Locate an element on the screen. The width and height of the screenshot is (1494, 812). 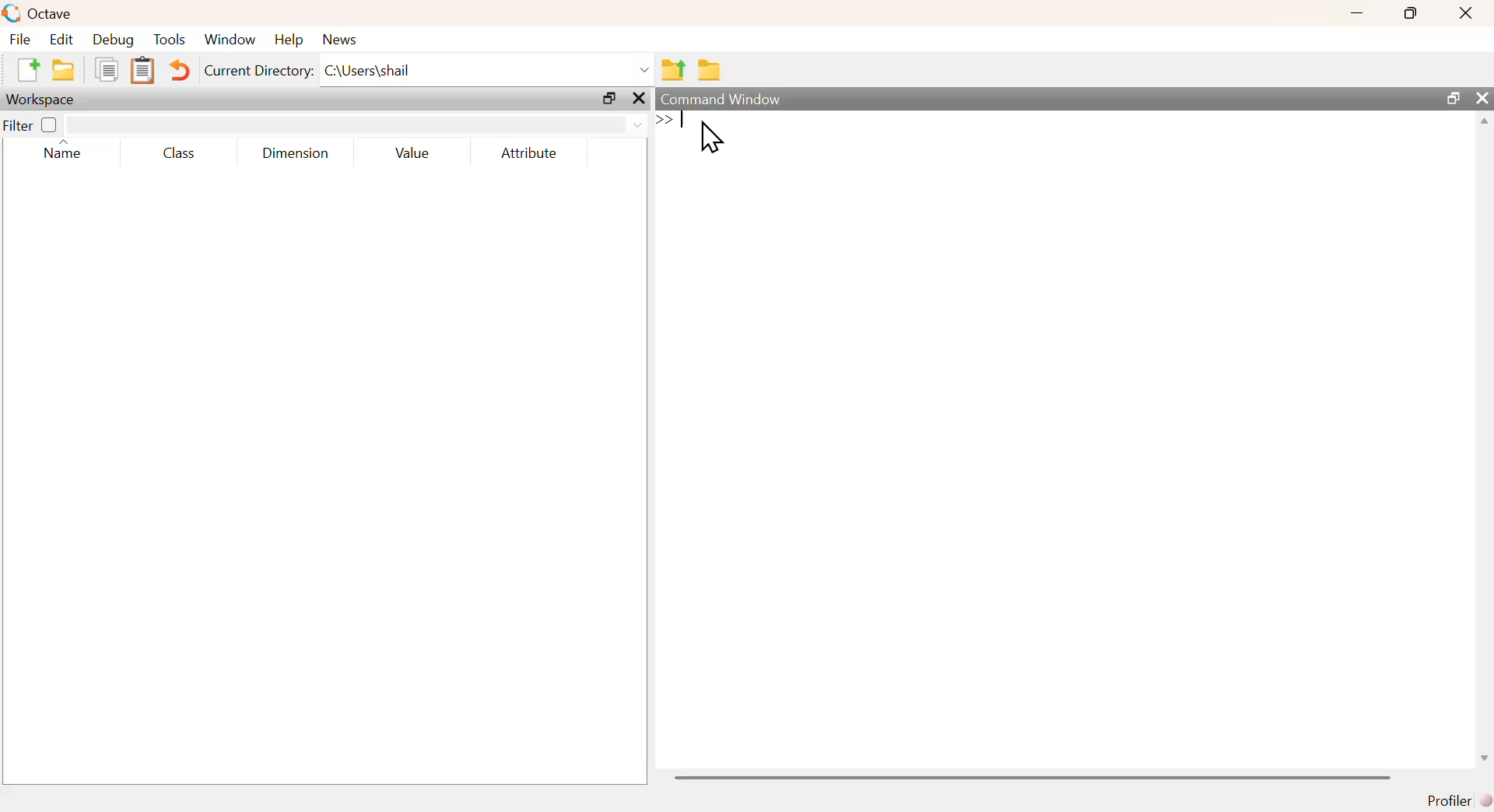
octave is located at coordinates (39, 12).